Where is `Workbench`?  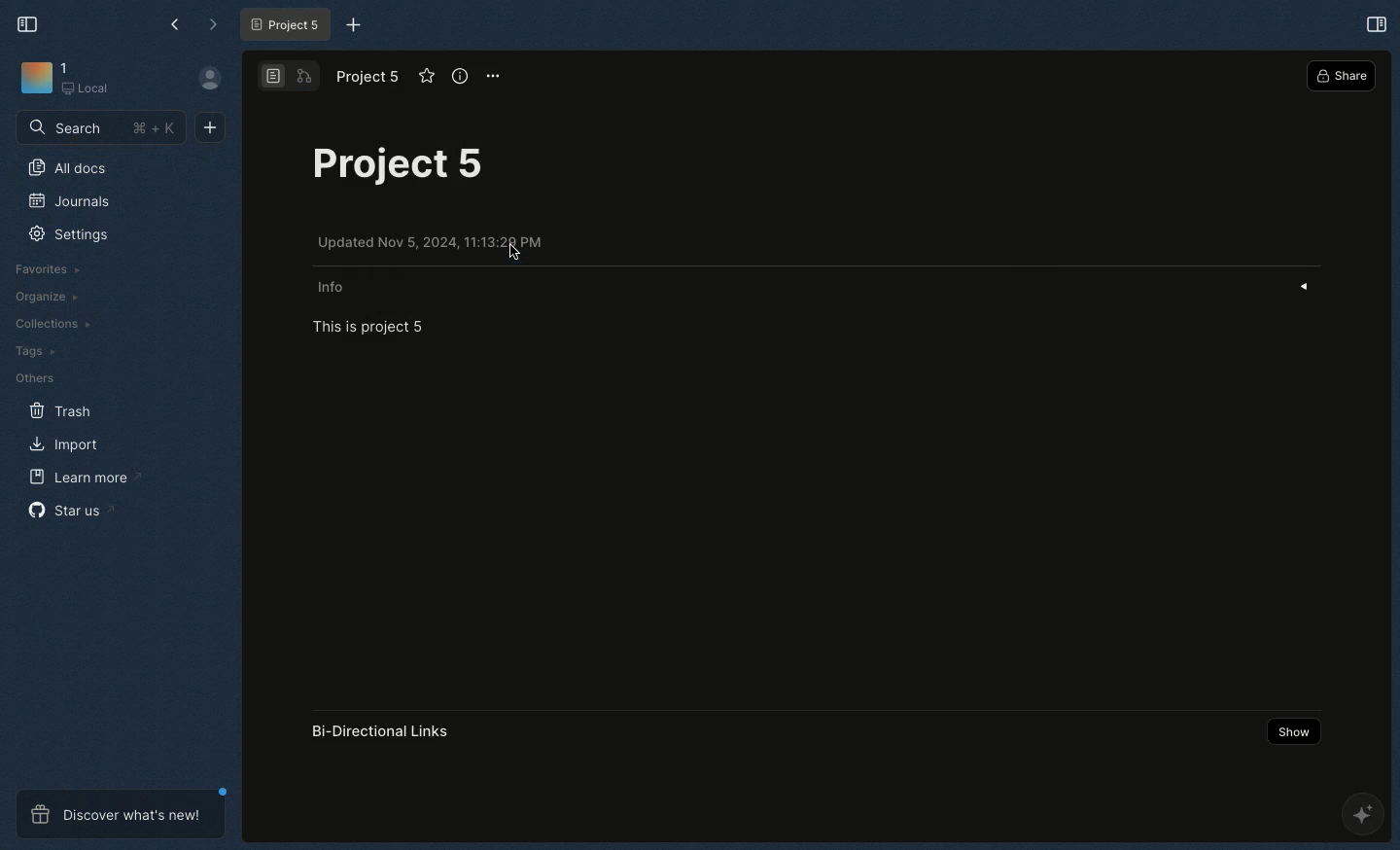
Workbench is located at coordinates (78, 82).